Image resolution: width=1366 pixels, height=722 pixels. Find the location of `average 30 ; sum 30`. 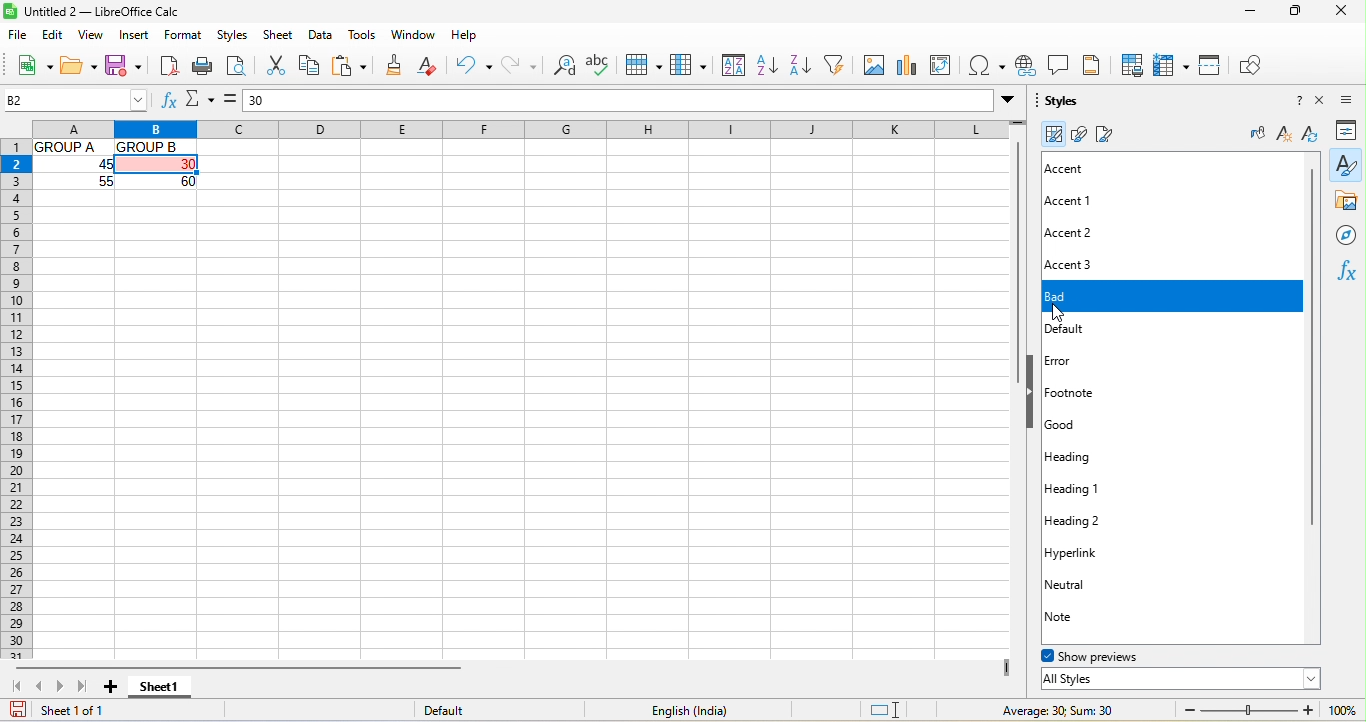

average 30 ; sum 30 is located at coordinates (1049, 710).